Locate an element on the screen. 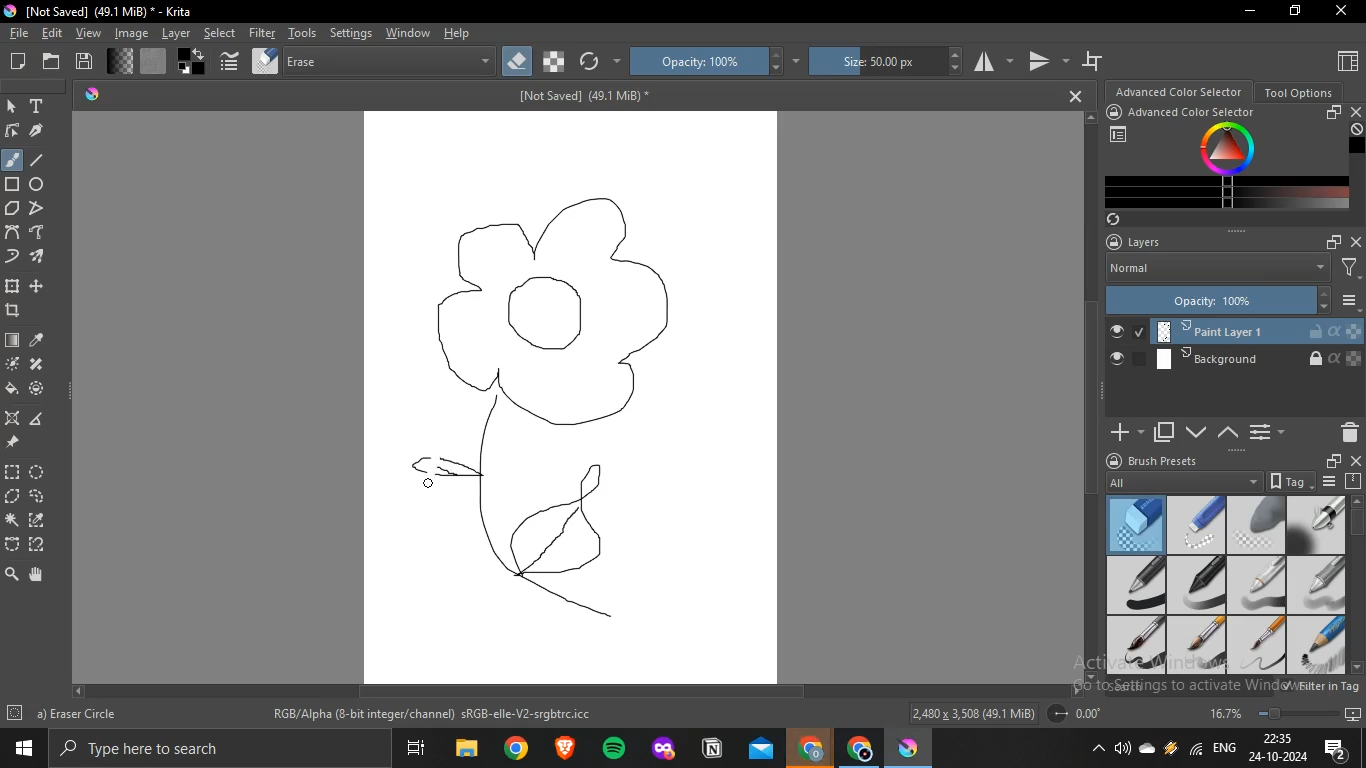 This screenshot has width=1366, height=768. tools is located at coordinates (303, 33).